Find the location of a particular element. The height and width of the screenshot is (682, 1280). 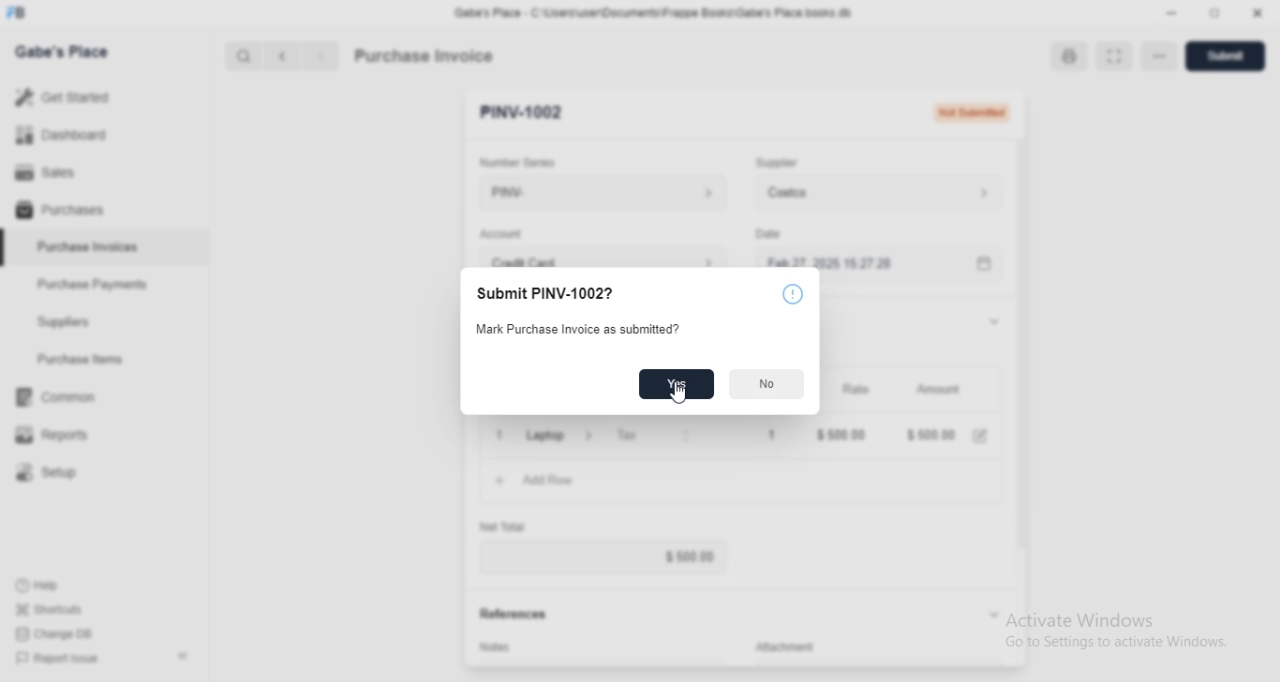

$ 500.00 is located at coordinates (930, 435).